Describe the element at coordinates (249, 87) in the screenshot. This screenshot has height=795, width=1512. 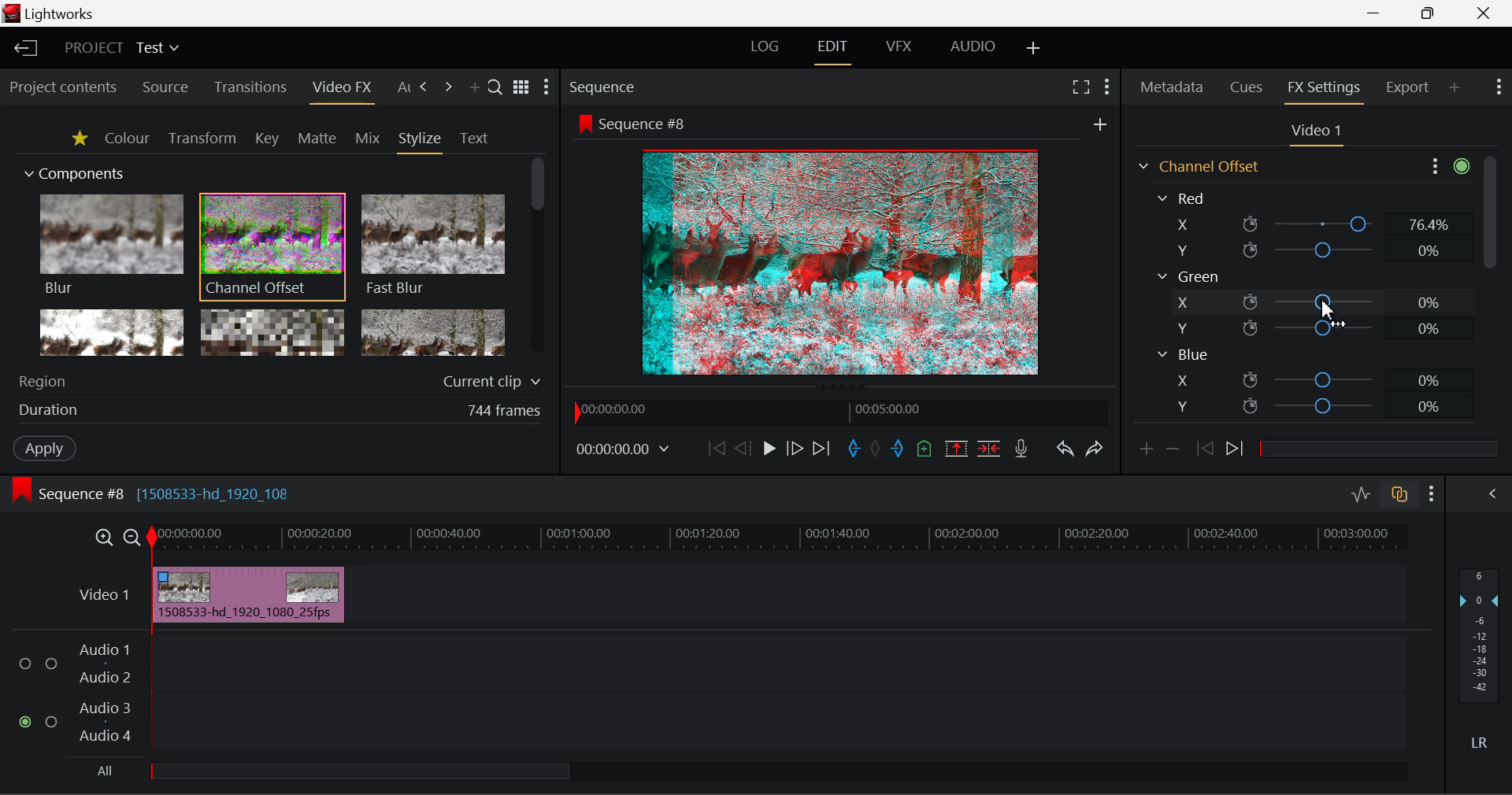
I see `Transitions` at that location.